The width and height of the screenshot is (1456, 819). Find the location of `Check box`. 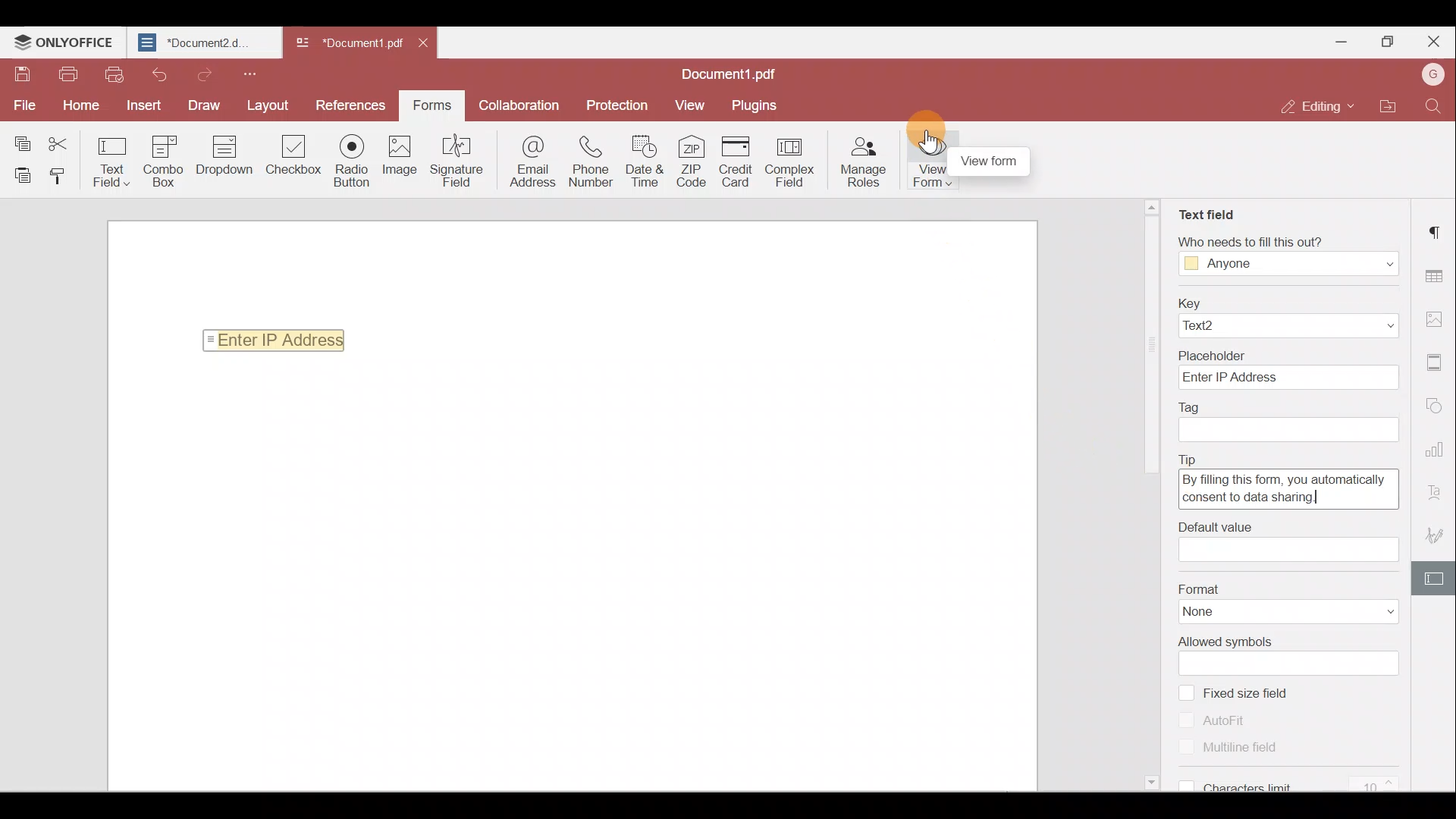

Check box is located at coordinates (292, 164).